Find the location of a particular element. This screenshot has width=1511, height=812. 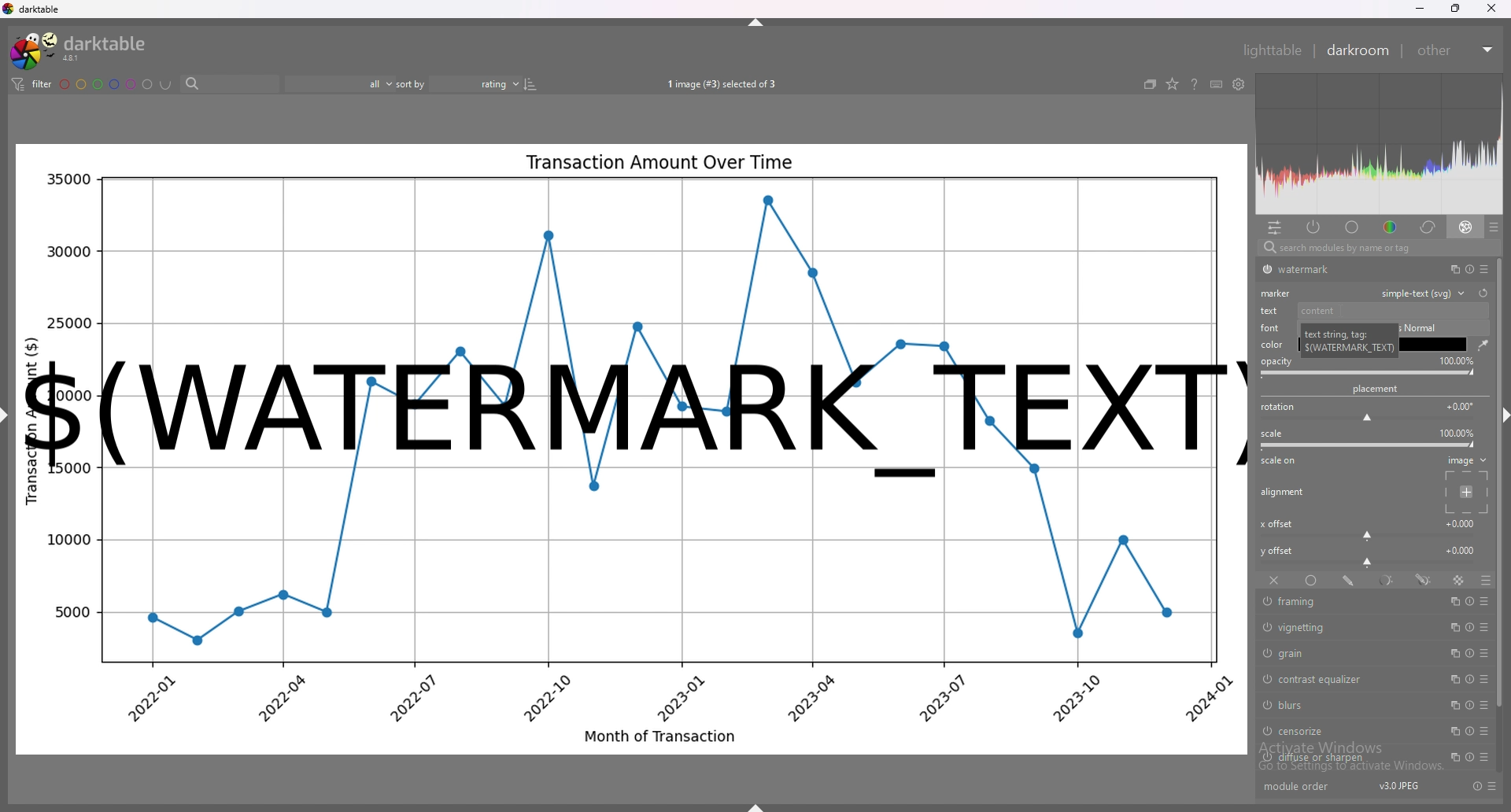

reset is located at coordinates (1476, 786).